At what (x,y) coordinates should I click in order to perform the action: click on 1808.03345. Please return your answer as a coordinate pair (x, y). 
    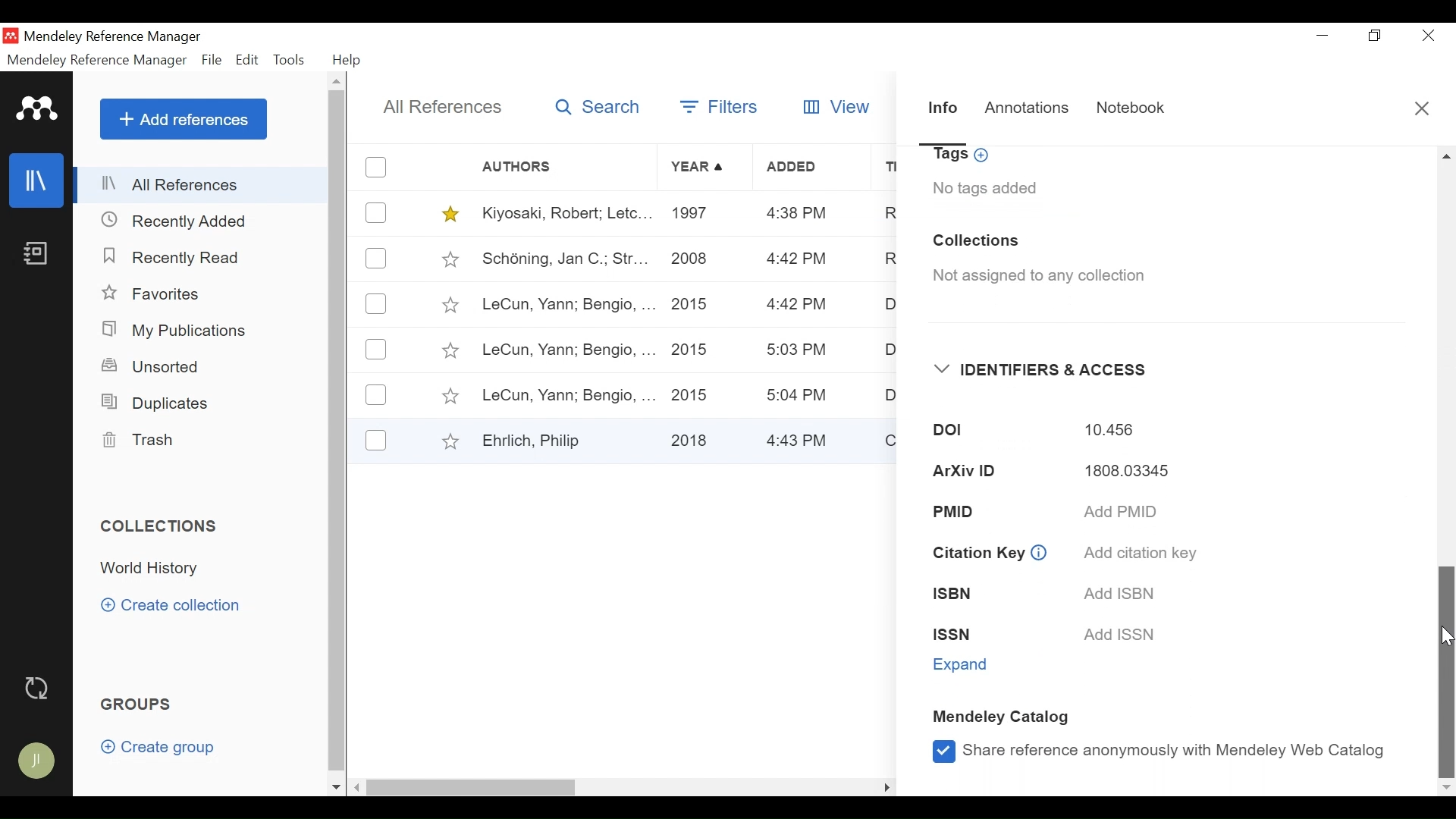
    Looking at the image, I should click on (1117, 473).